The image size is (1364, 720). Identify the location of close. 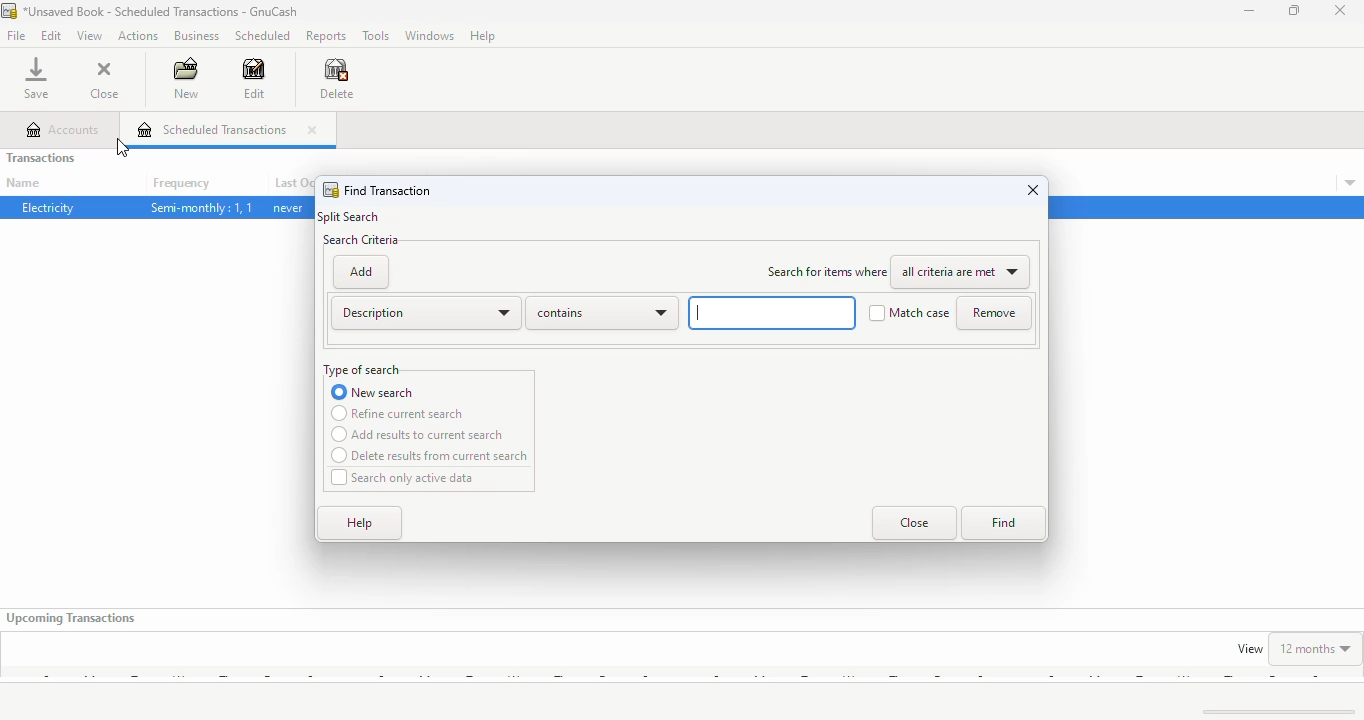
(1341, 10).